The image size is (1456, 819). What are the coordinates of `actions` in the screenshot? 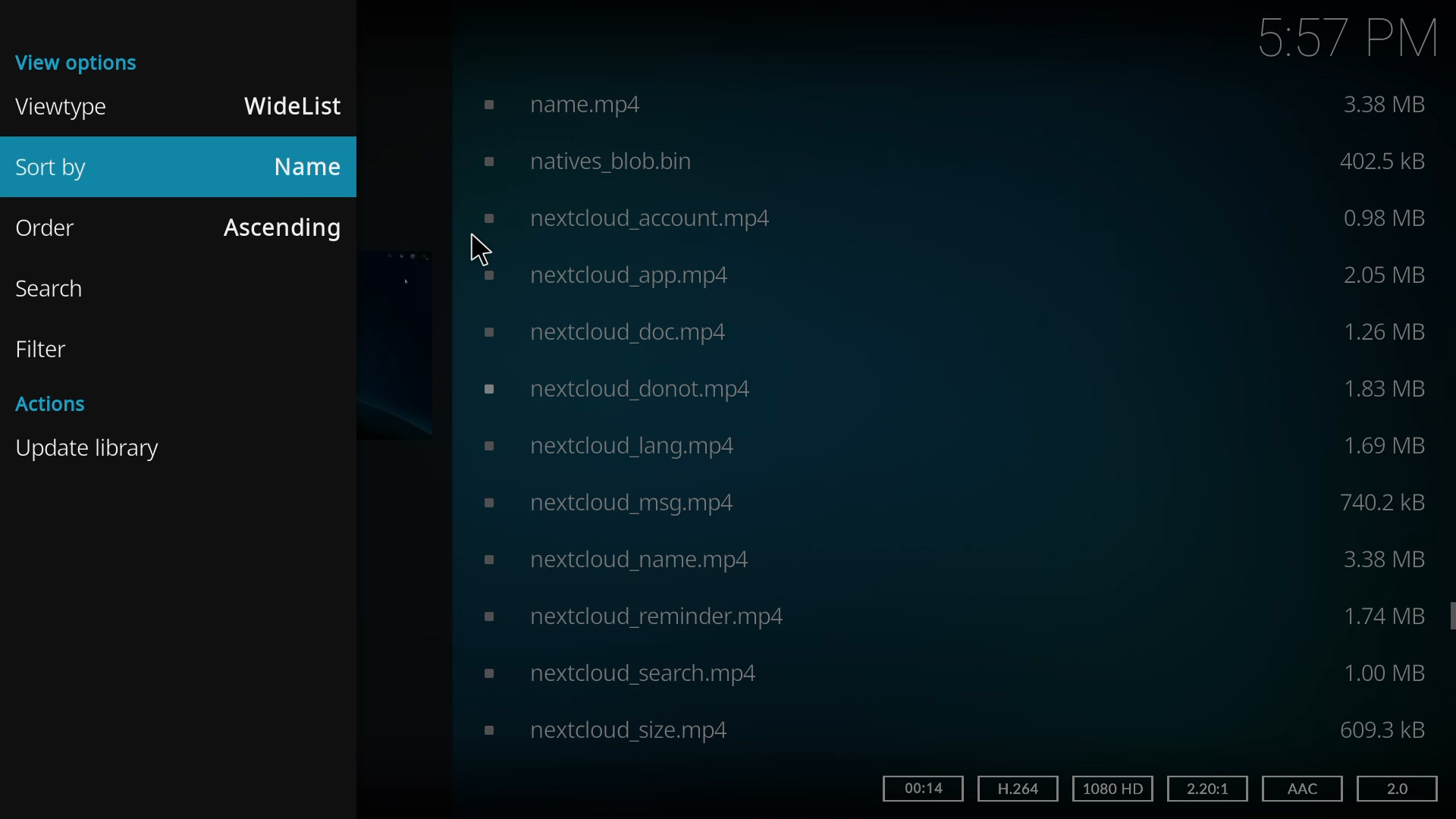 It's located at (55, 402).